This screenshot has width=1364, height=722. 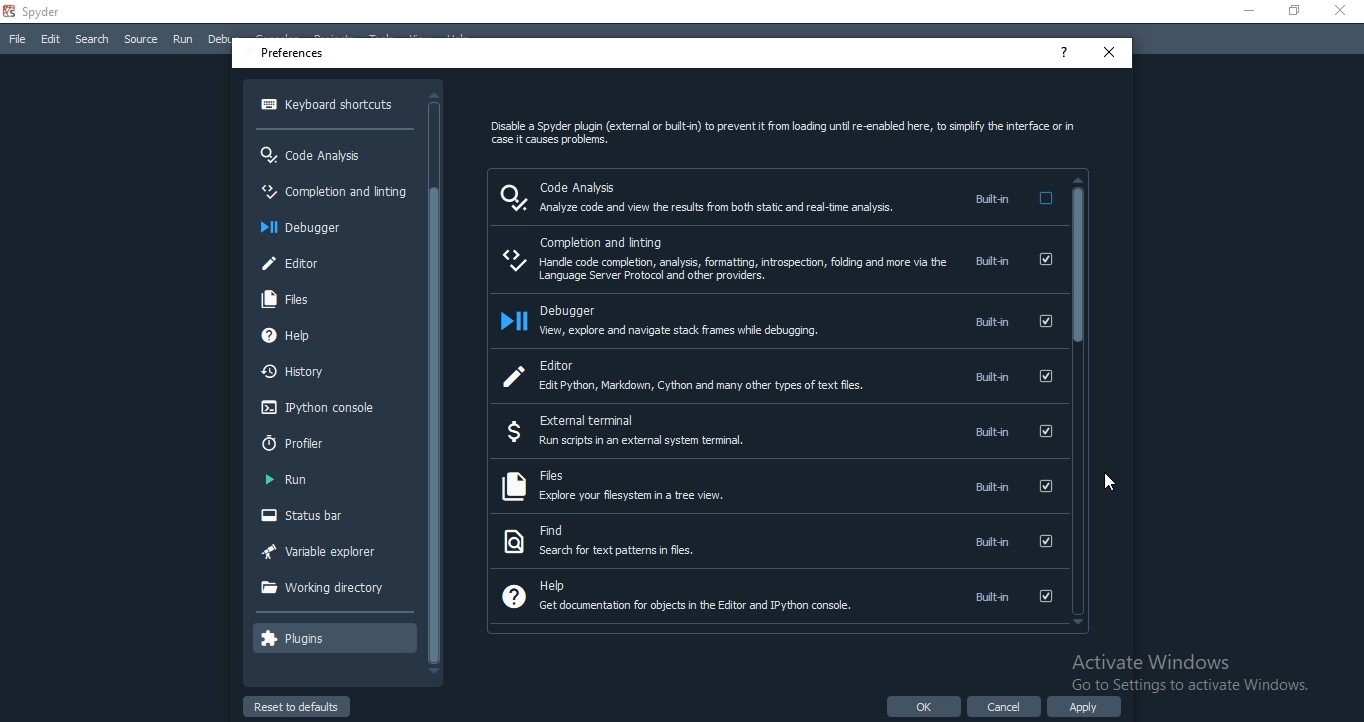 What do you see at coordinates (329, 194) in the screenshot?
I see `completion and inting` at bounding box center [329, 194].